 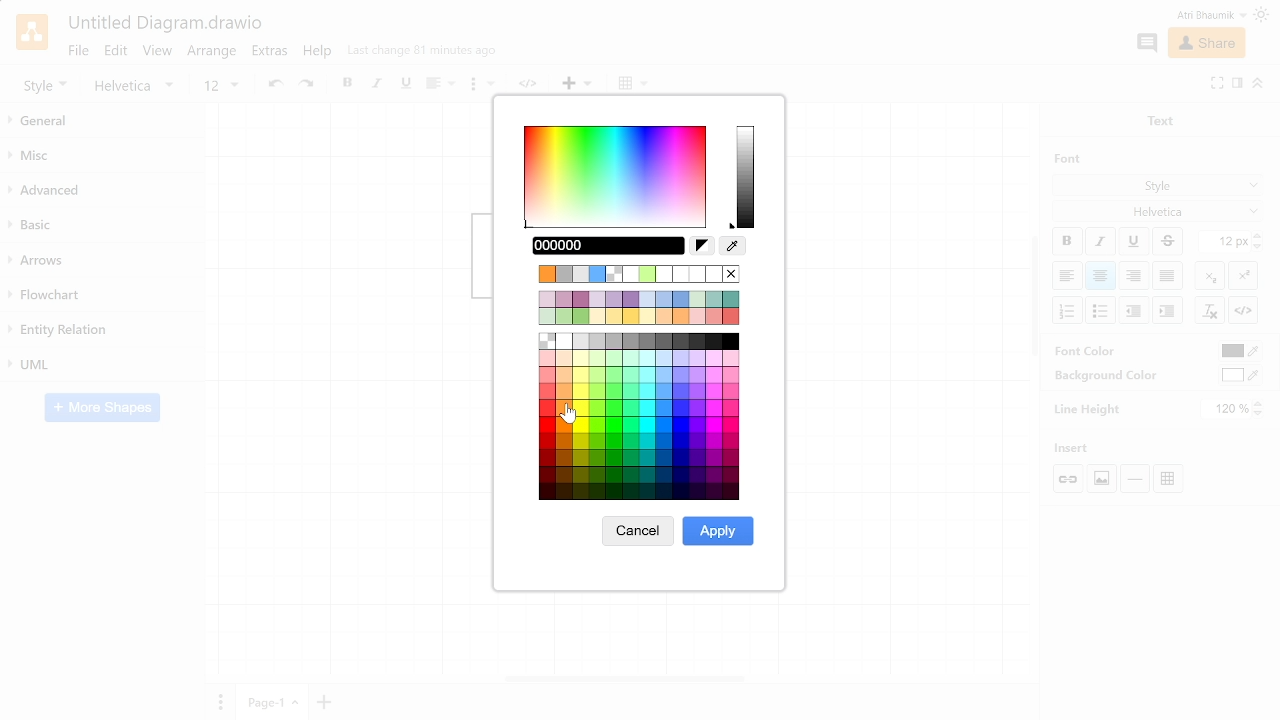 What do you see at coordinates (1100, 478) in the screenshot?
I see `Image` at bounding box center [1100, 478].